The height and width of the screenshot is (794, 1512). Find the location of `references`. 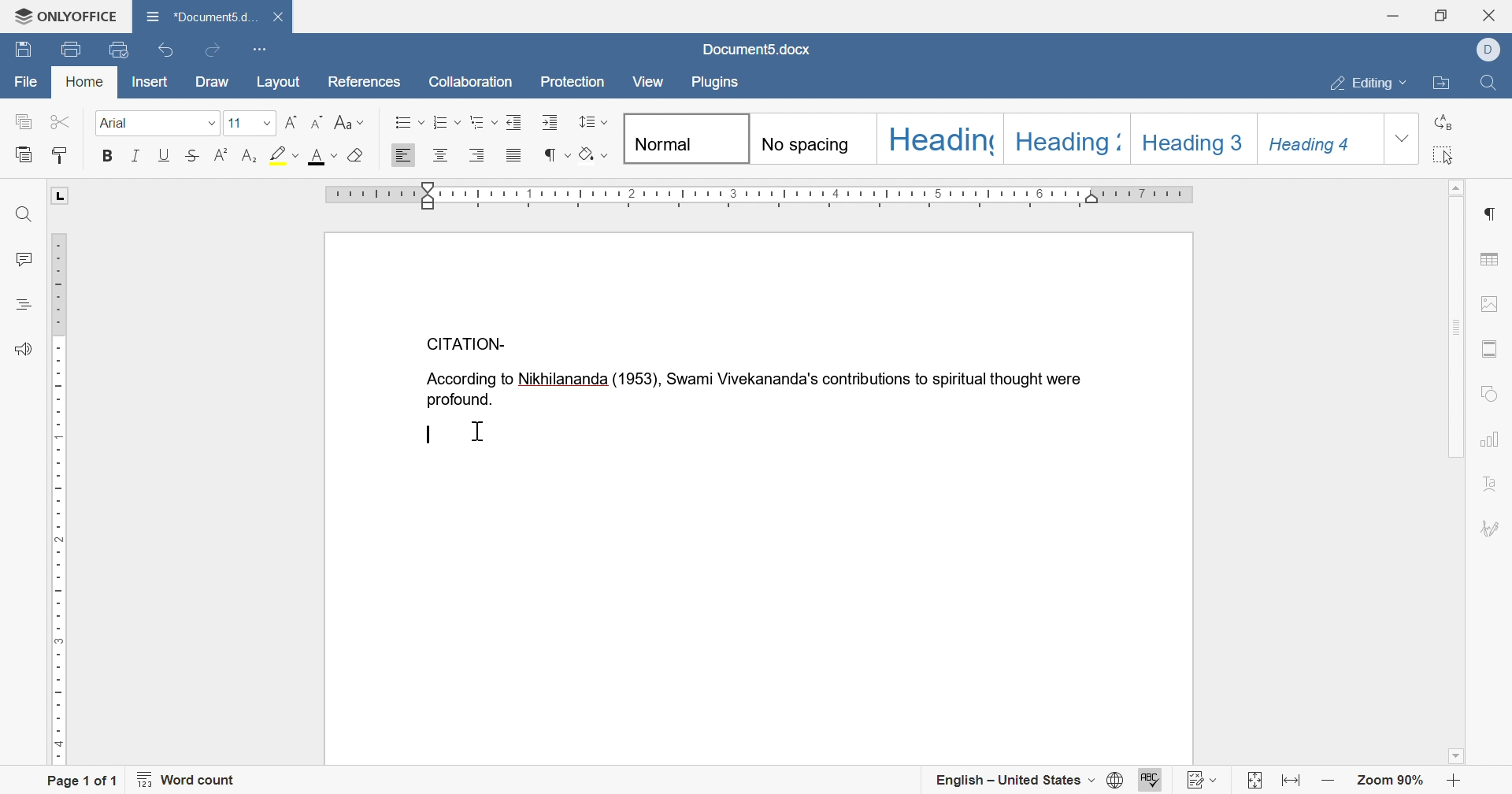

references is located at coordinates (365, 83).